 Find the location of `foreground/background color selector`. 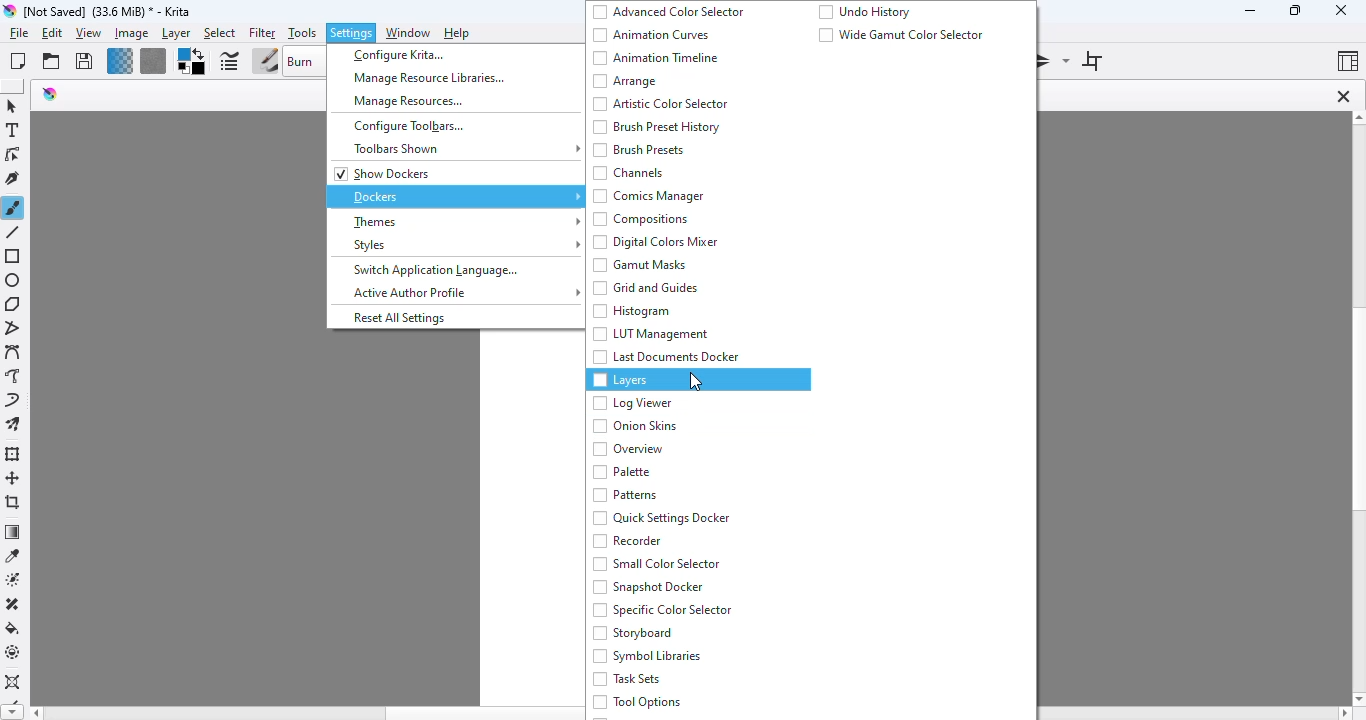

foreground/background color selector is located at coordinates (190, 62).